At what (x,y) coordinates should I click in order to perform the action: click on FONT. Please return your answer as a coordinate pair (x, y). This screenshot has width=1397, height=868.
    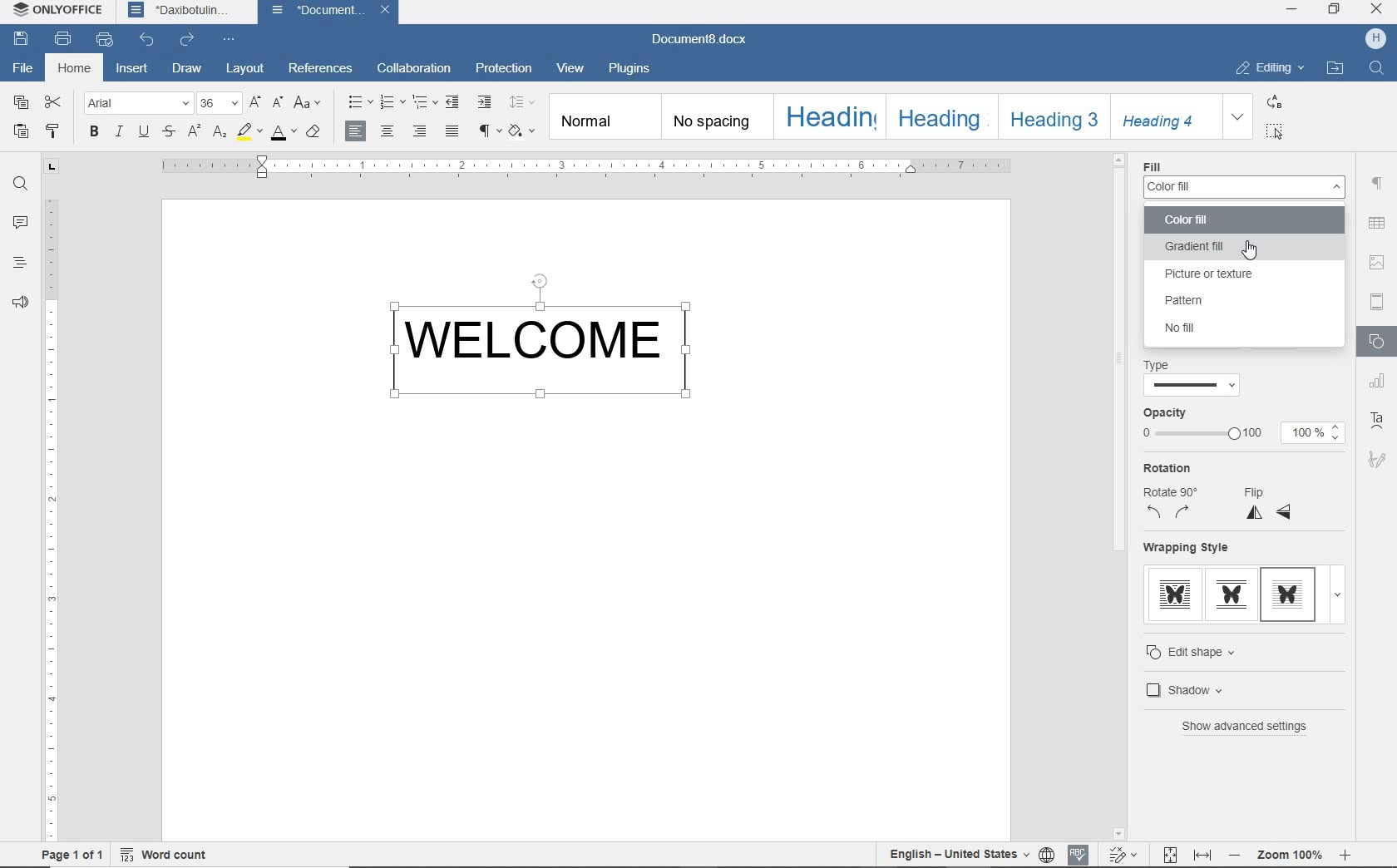
    Looking at the image, I should click on (136, 104).